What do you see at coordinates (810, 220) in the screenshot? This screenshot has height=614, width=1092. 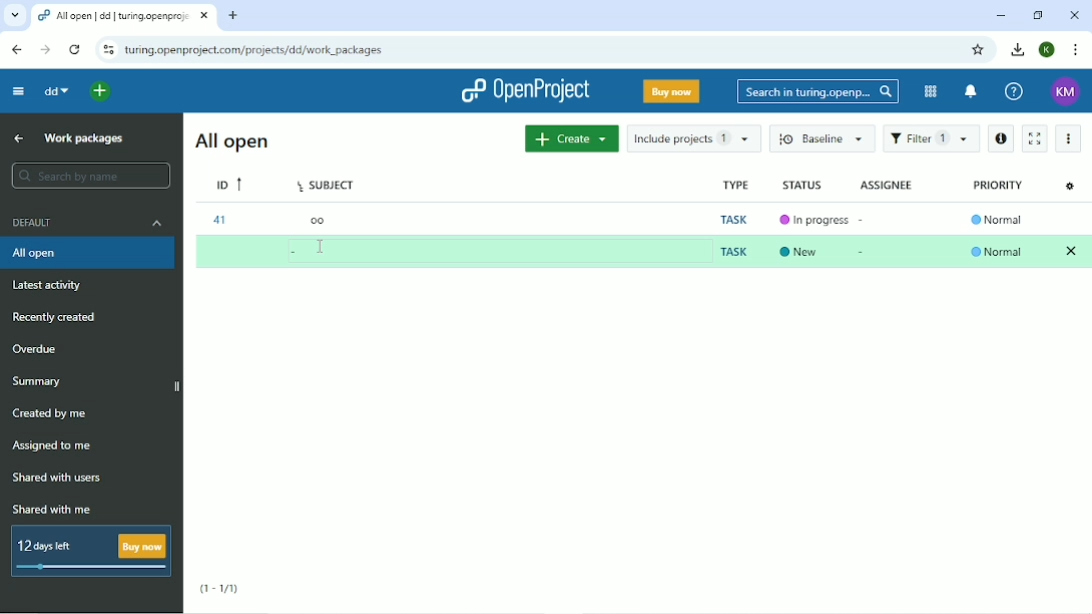 I see `In progress` at bounding box center [810, 220].